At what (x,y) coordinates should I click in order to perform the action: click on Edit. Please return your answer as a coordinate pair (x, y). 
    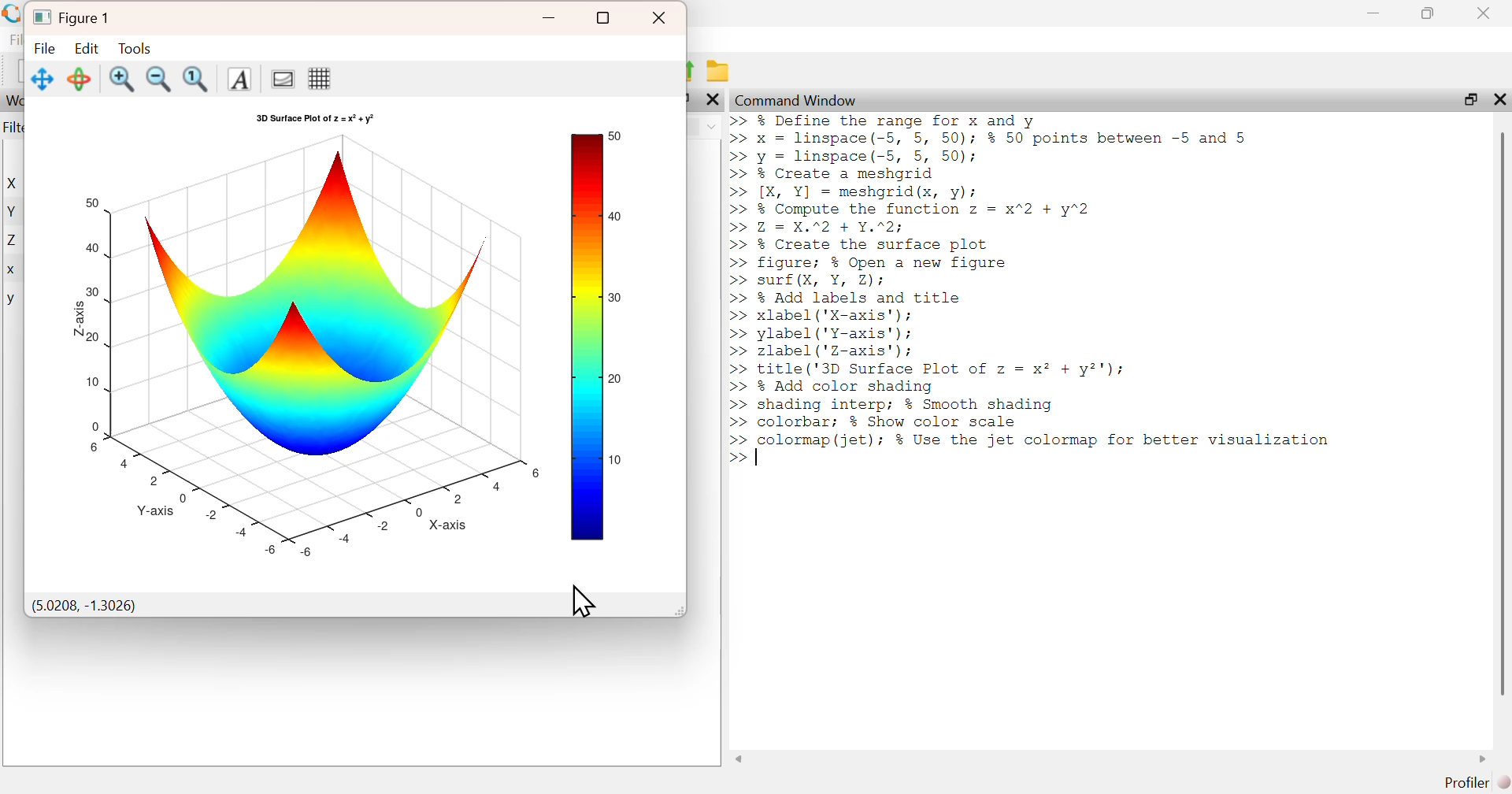
    Looking at the image, I should click on (87, 47).